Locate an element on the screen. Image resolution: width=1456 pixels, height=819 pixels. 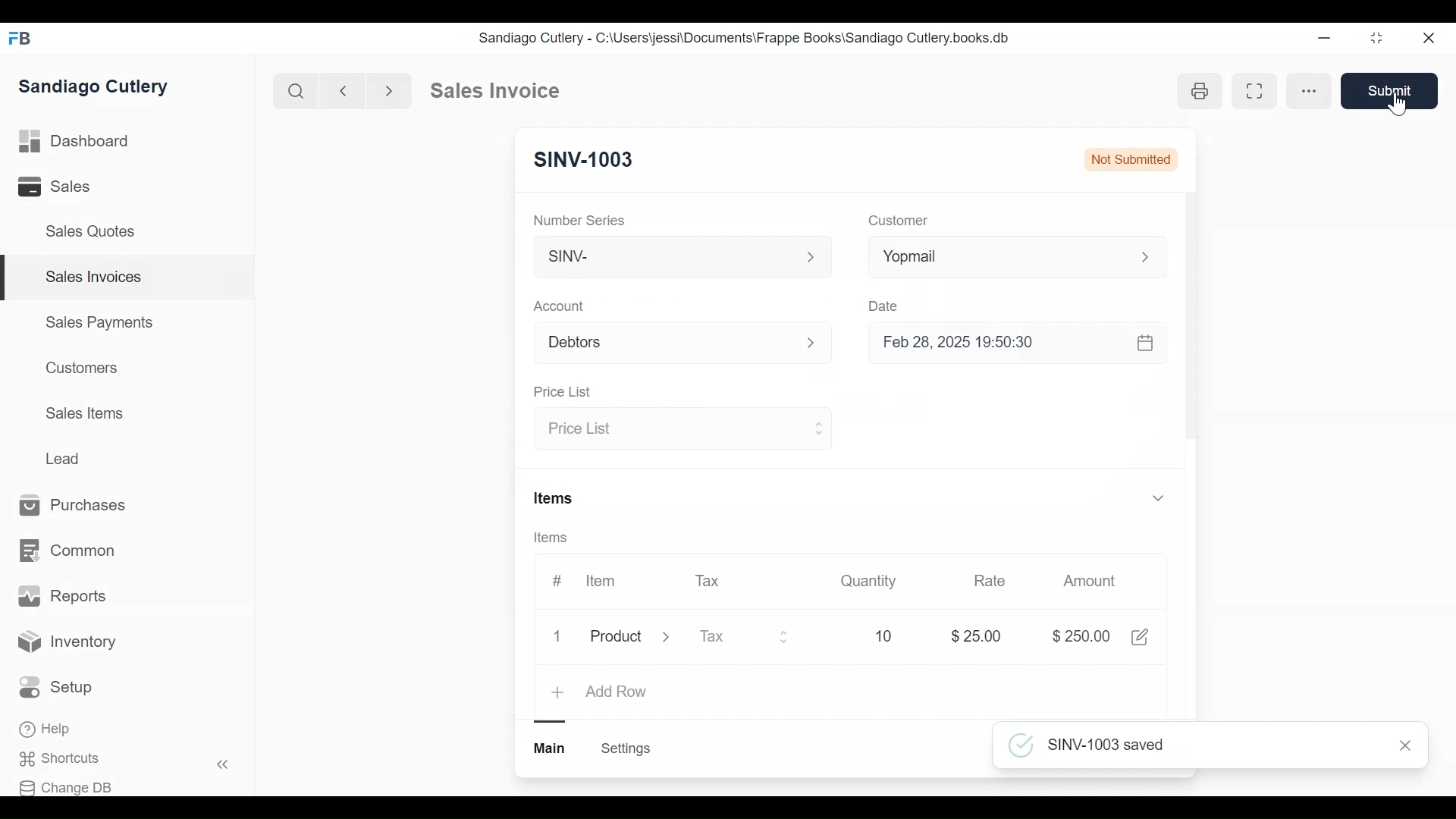
$25.00 is located at coordinates (980, 634).